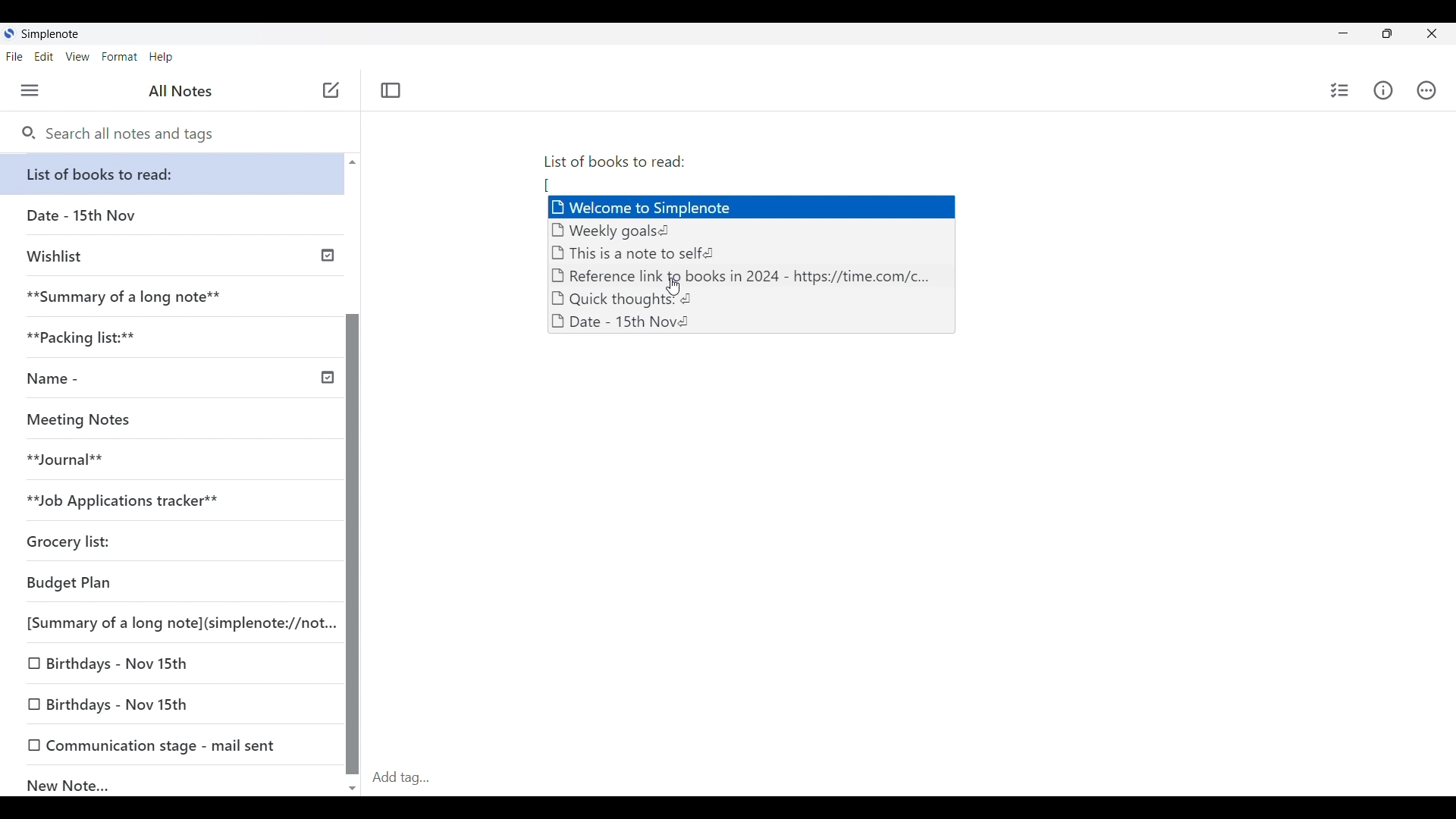 This screenshot has height=819, width=1456. I want to click on Reference link to books in 2024 - https://time.com/c..., so click(747, 276).